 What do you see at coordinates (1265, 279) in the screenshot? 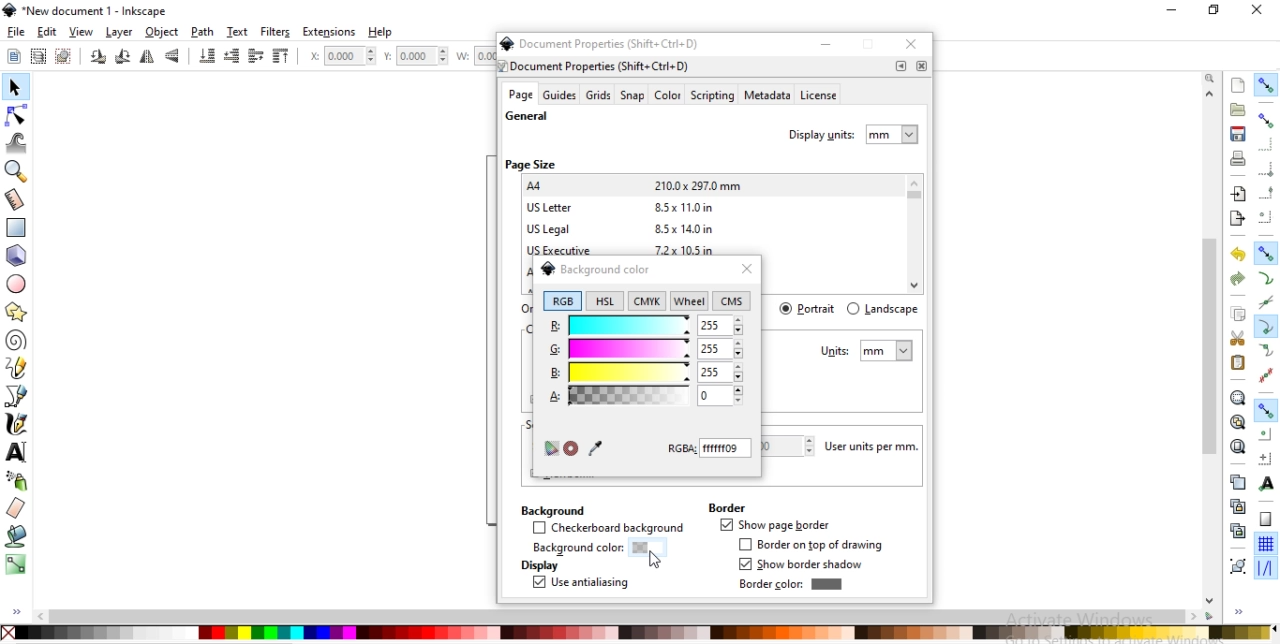
I see `snap to paths` at bounding box center [1265, 279].